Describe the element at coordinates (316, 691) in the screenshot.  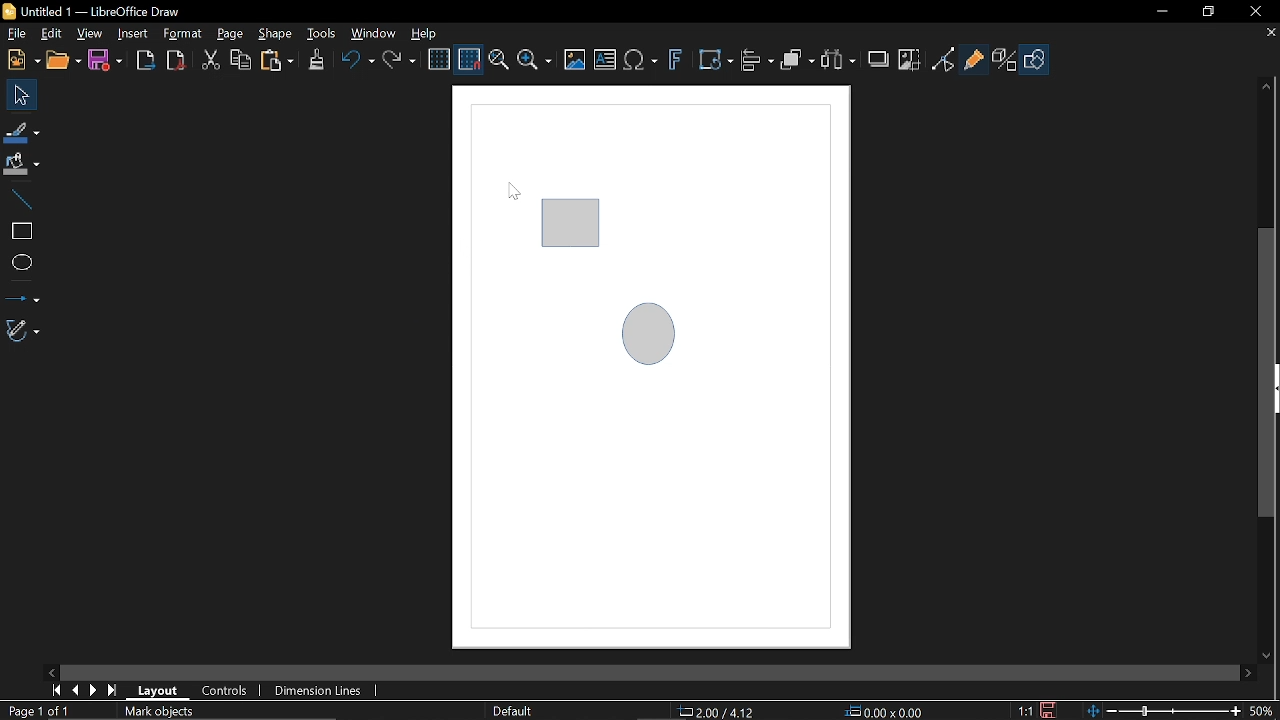
I see `Dimension units` at that location.